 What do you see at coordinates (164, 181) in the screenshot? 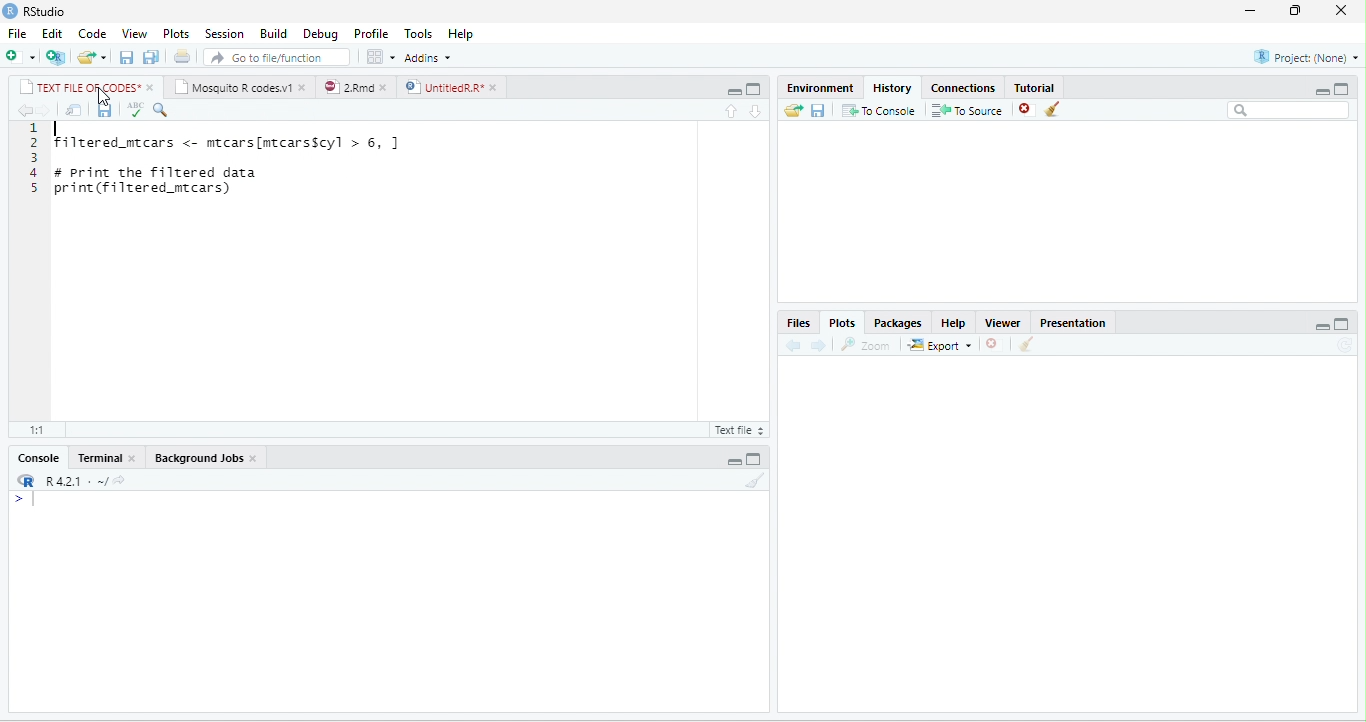
I see `# print the filtered data
print (filtered mtcars)` at bounding box center [164, 181].